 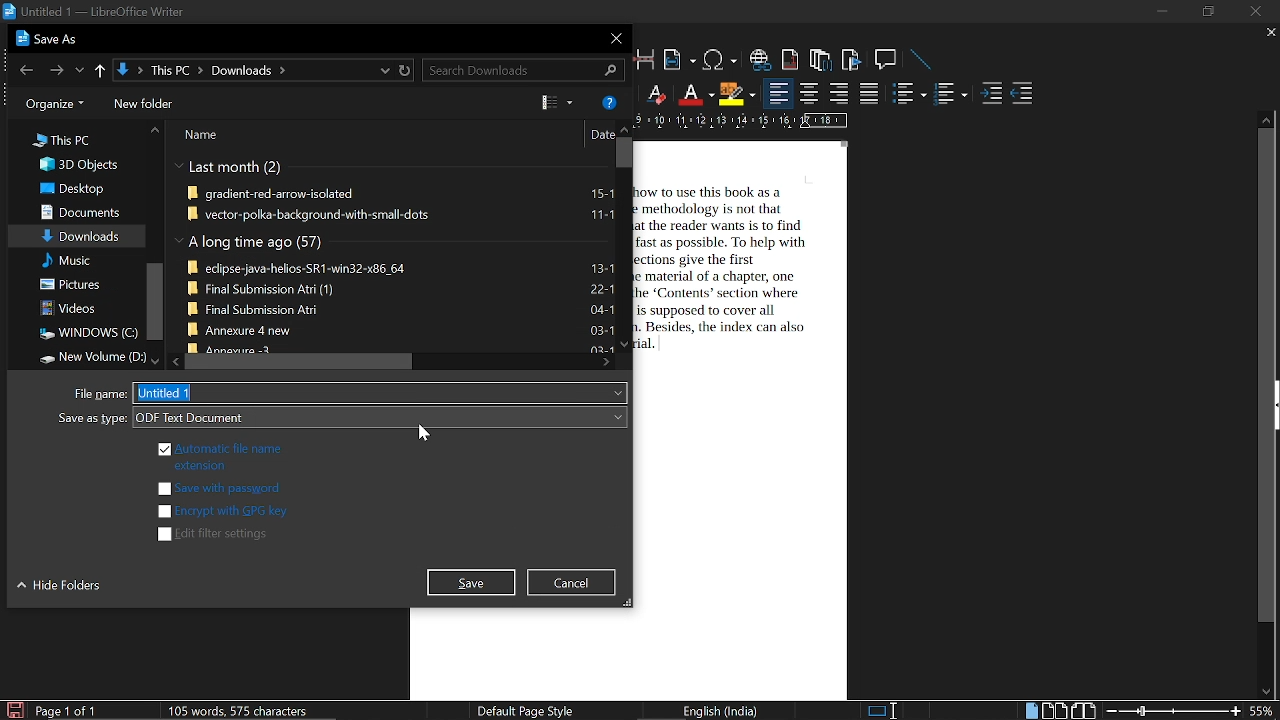 I want to click on move left, so click(x=174, y=362).